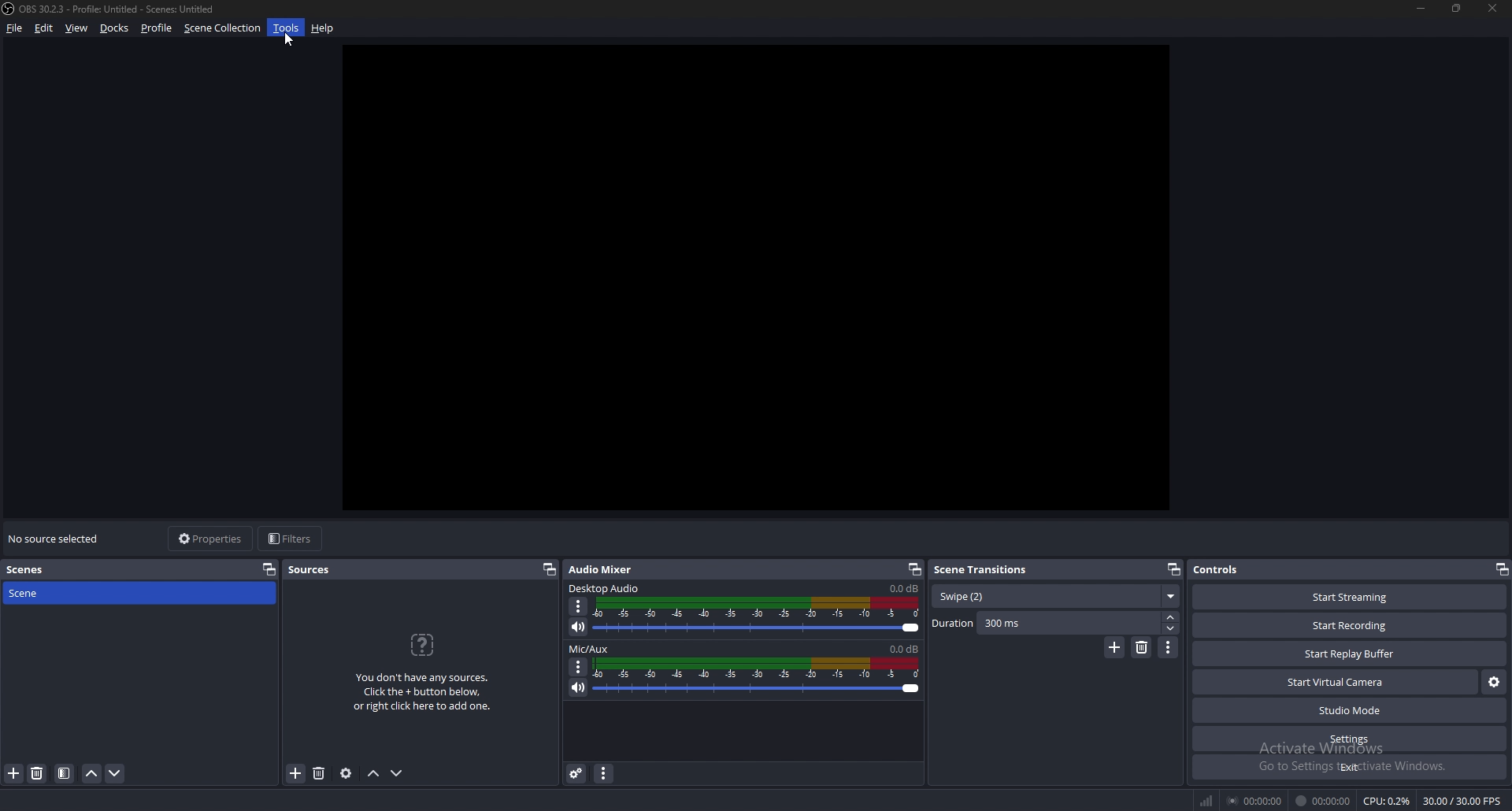 This screenshot has height=811, width=1512. I want to click on filters, so click(292, 538).